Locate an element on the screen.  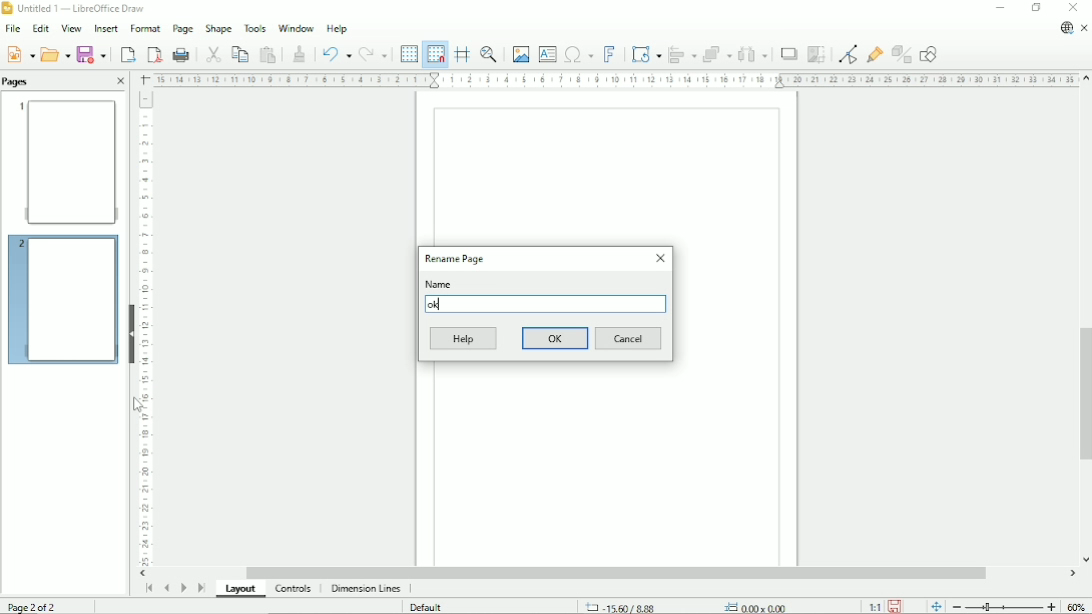
Insert fontwork text is located at coordinates (610, 53).